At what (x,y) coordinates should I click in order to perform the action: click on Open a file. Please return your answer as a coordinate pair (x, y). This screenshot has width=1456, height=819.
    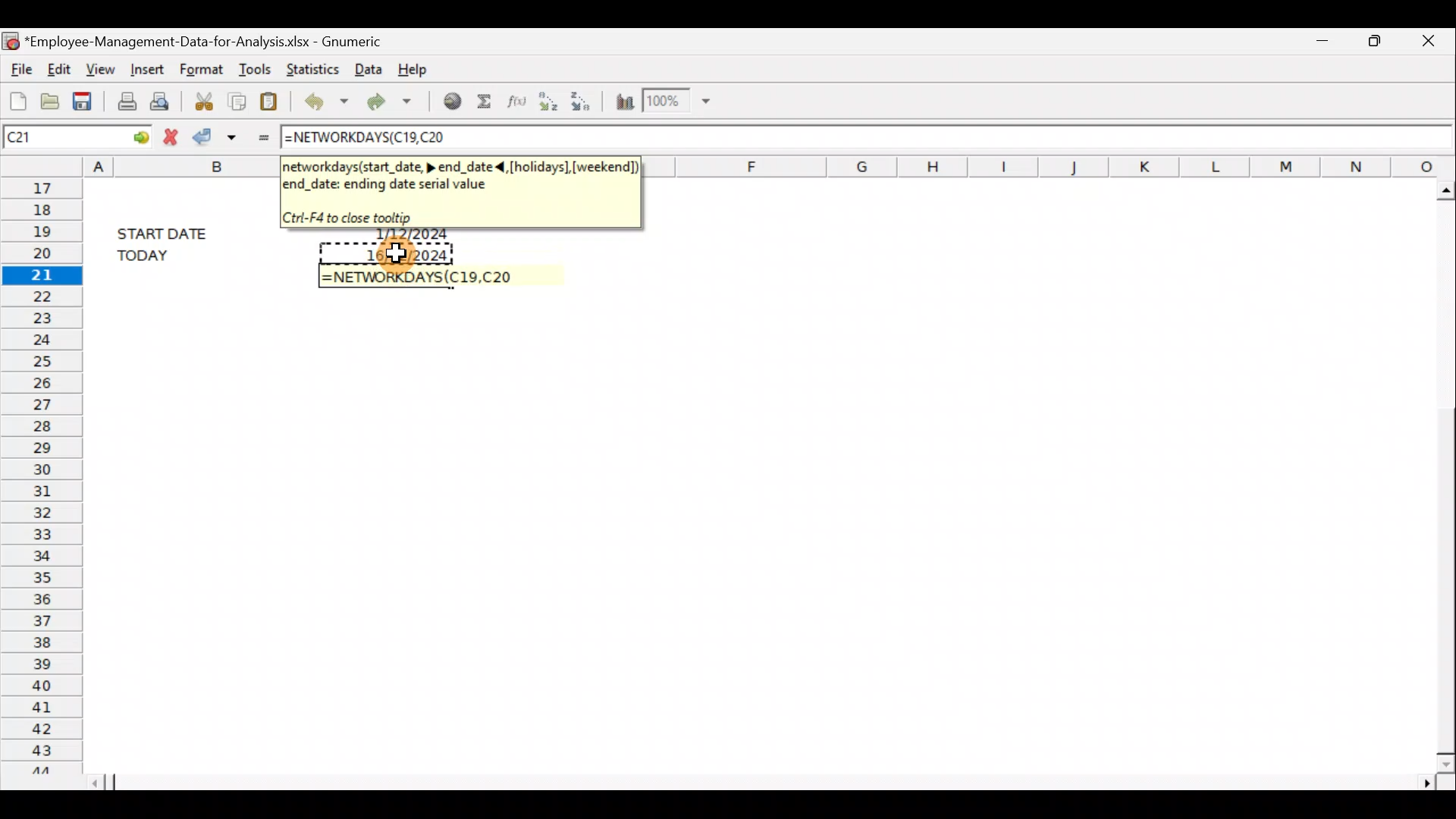
    Looking at the image, I should click on (49, 99).